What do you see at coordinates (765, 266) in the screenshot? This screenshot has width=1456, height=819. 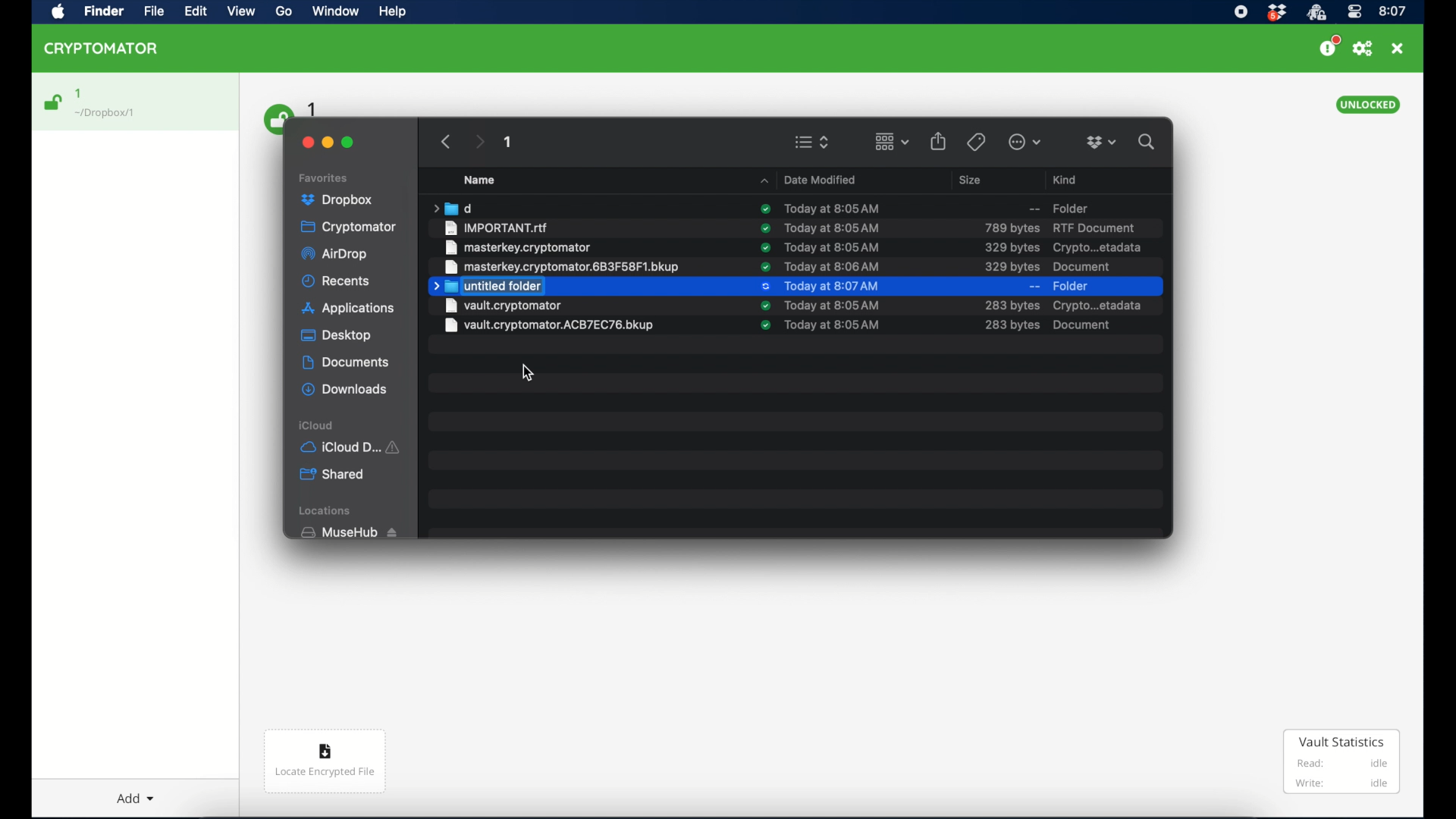 I see `` at bounding box center [765, 266].